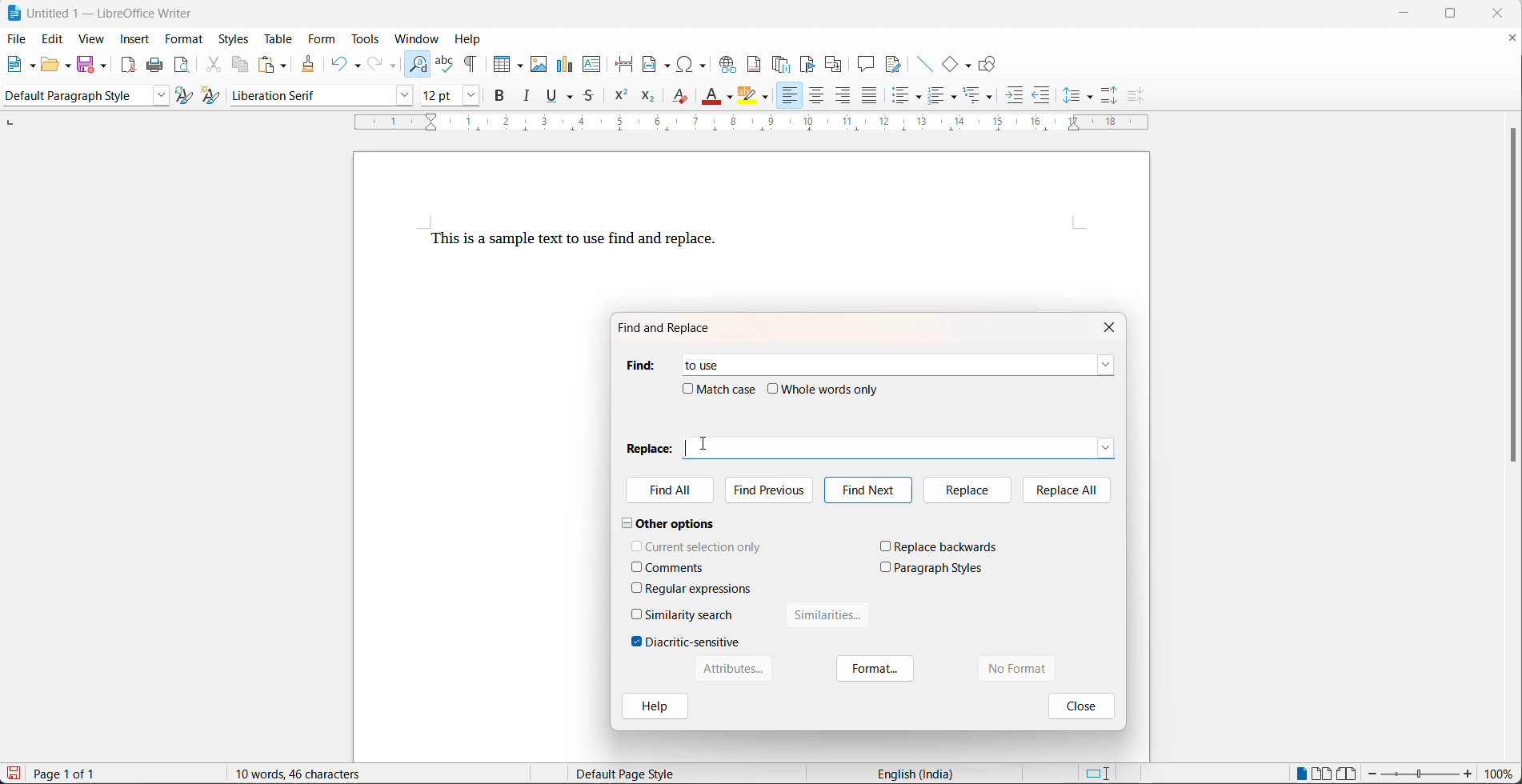  I want to click on italic, so click(530, 98).